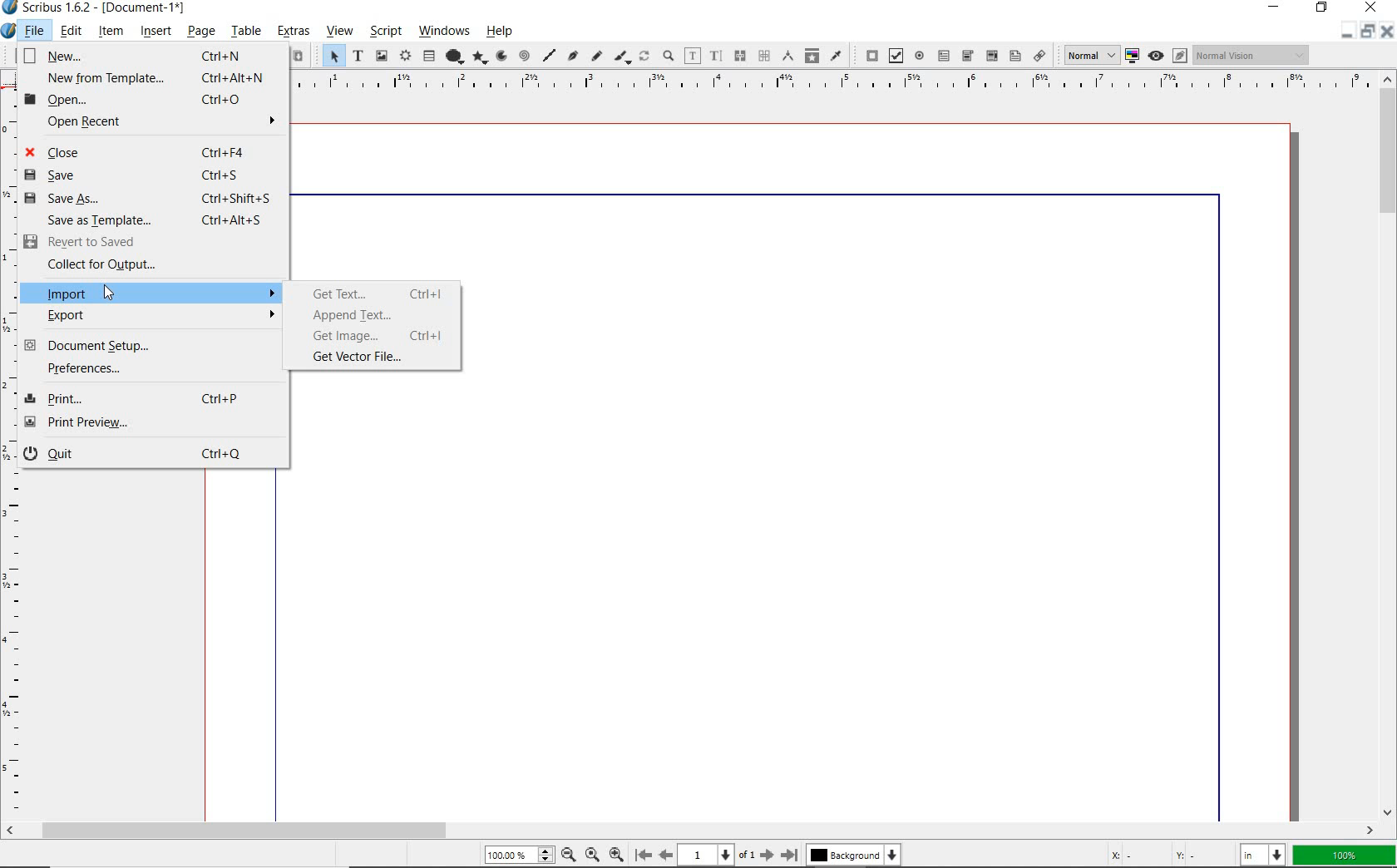  What do you see at coordinates (443, 30) in the screenshot?
I see `windows` at bounding box center [443, 30].